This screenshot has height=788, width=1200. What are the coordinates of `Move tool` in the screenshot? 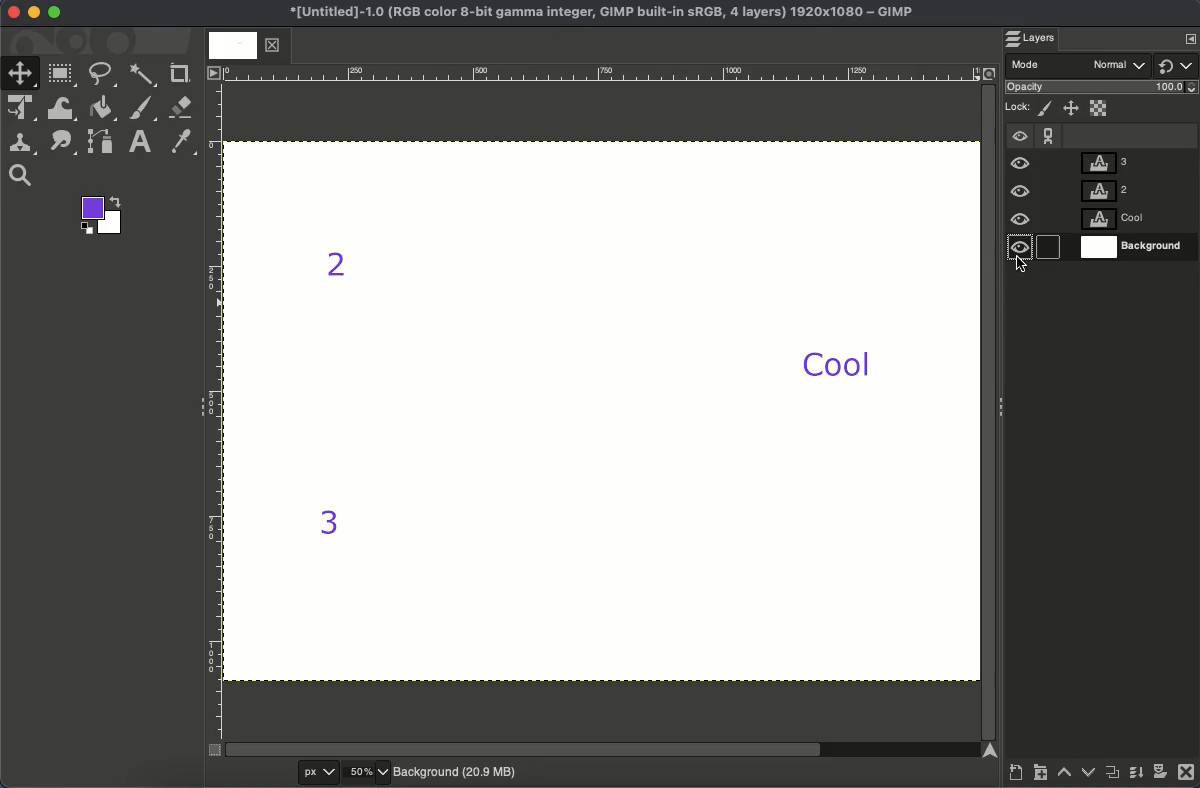 It's located at (21, 72).